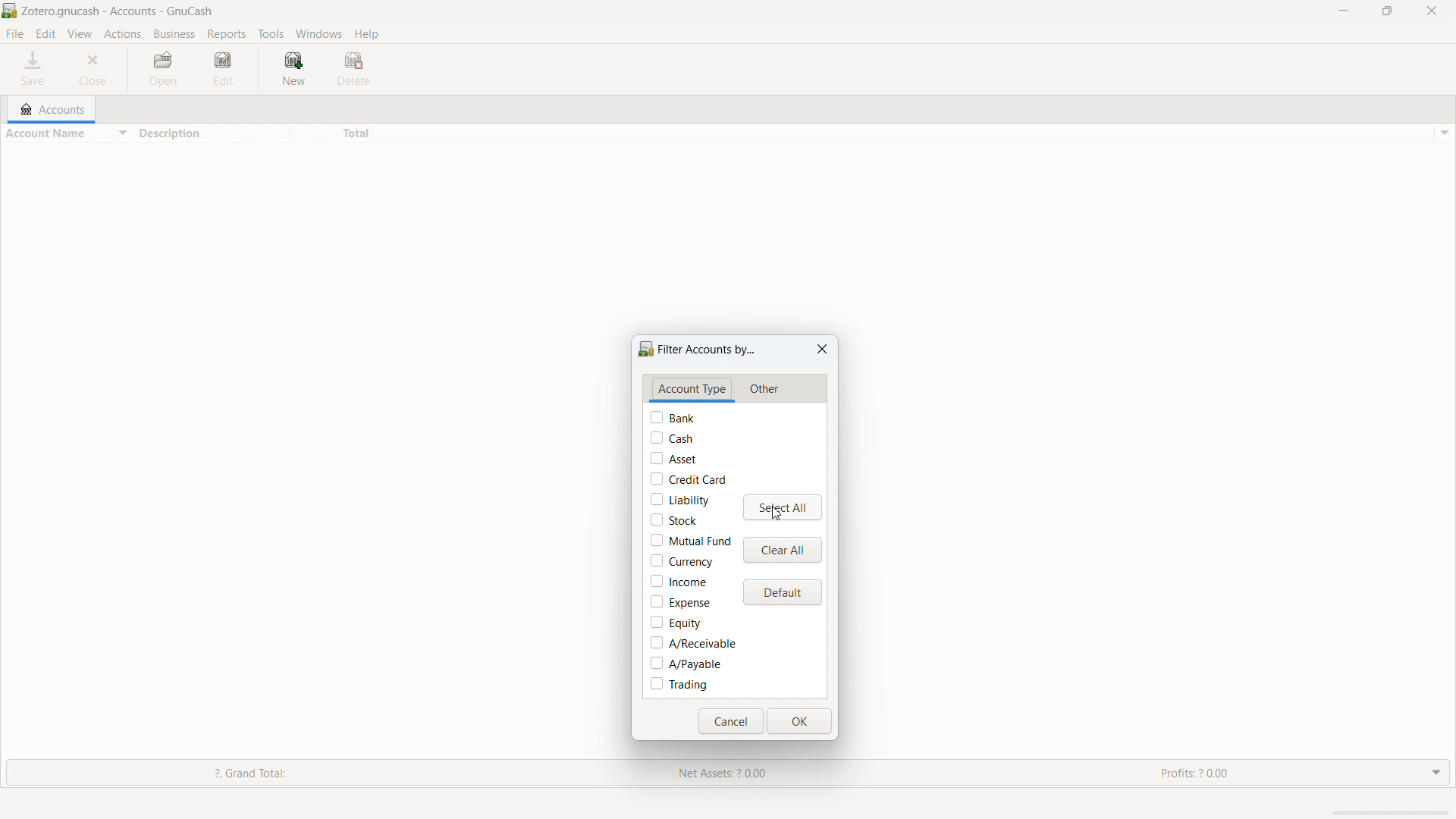 The height and width of the screenshot is (819, 1456). What do you see at coordinates (692, 390) in the screenshot?
I see `account type` at bounding box center [692, 390].